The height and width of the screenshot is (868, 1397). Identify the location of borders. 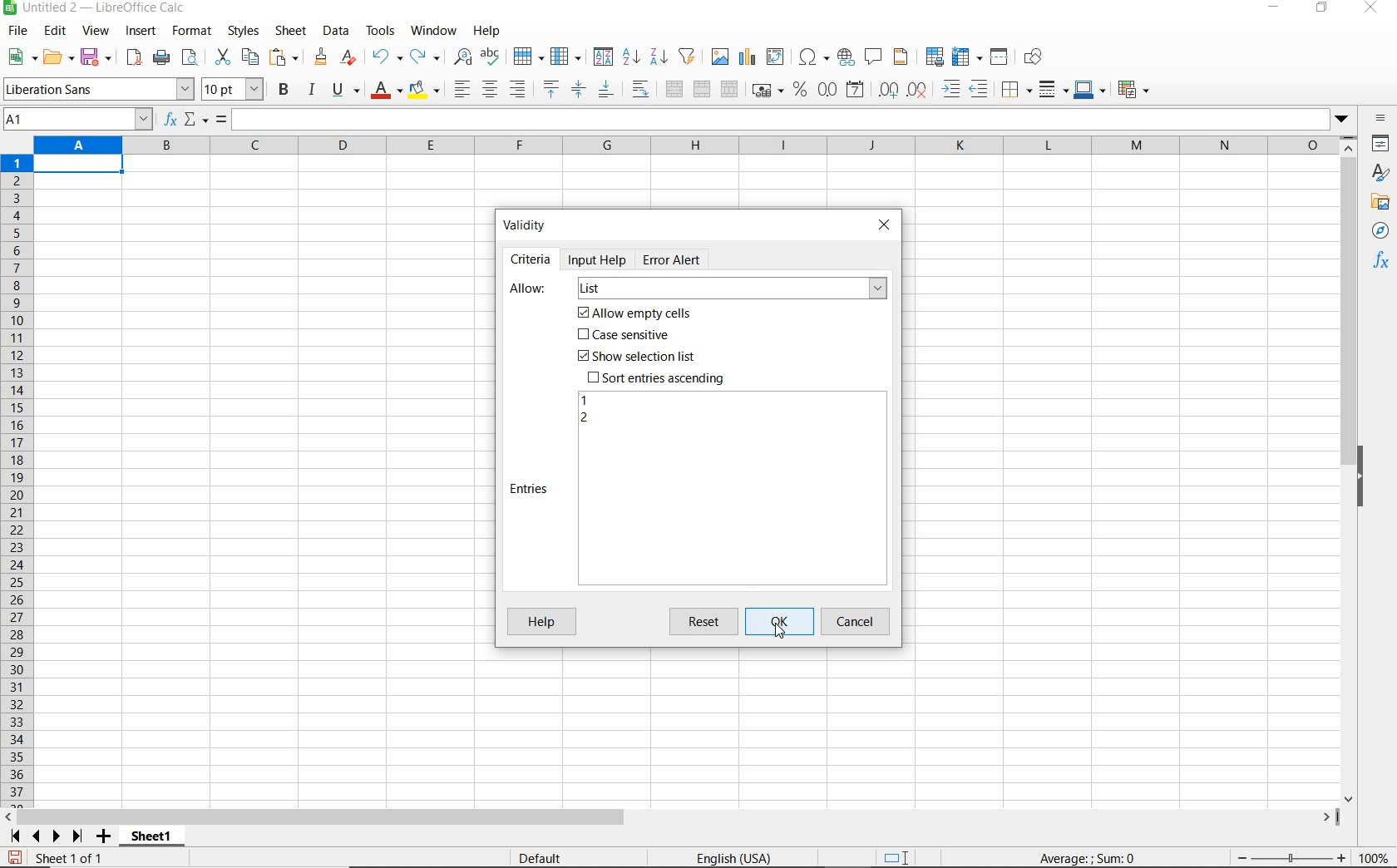
(1017, 90).